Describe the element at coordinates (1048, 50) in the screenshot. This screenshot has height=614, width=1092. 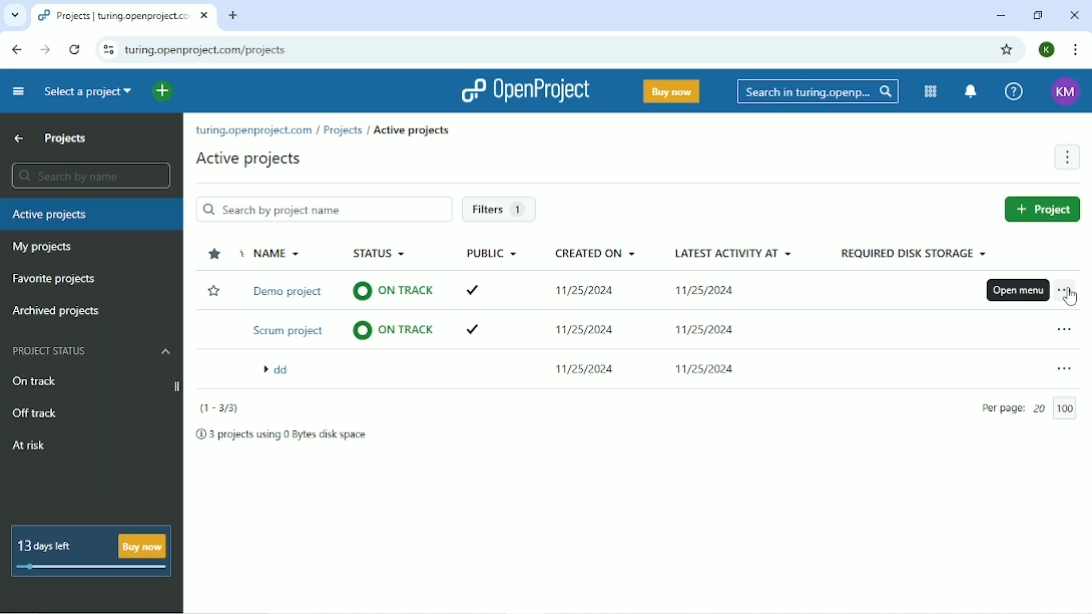
I see `Account` at that location.